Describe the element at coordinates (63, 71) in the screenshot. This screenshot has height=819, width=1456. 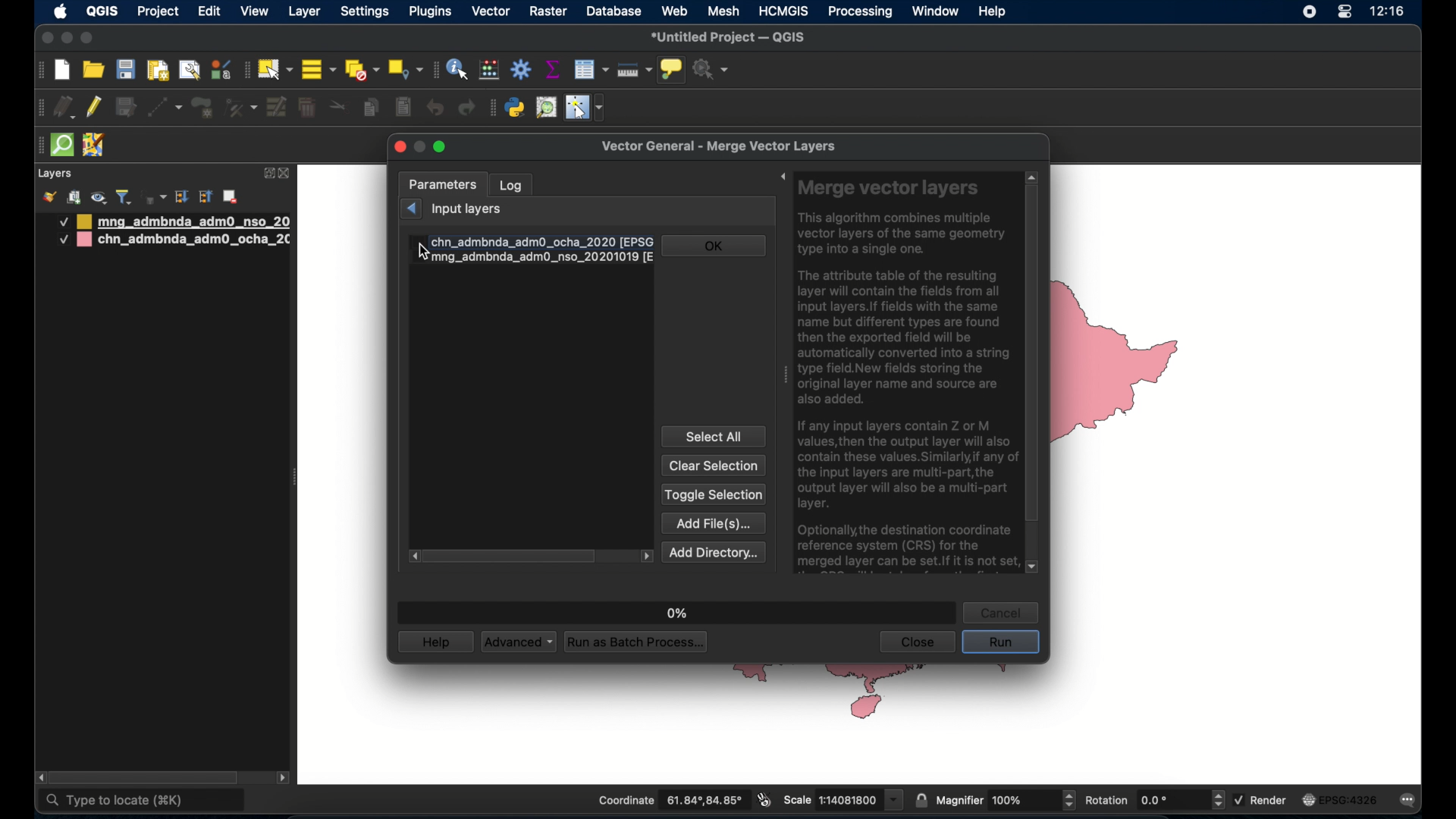
I see `create new project` at that location.